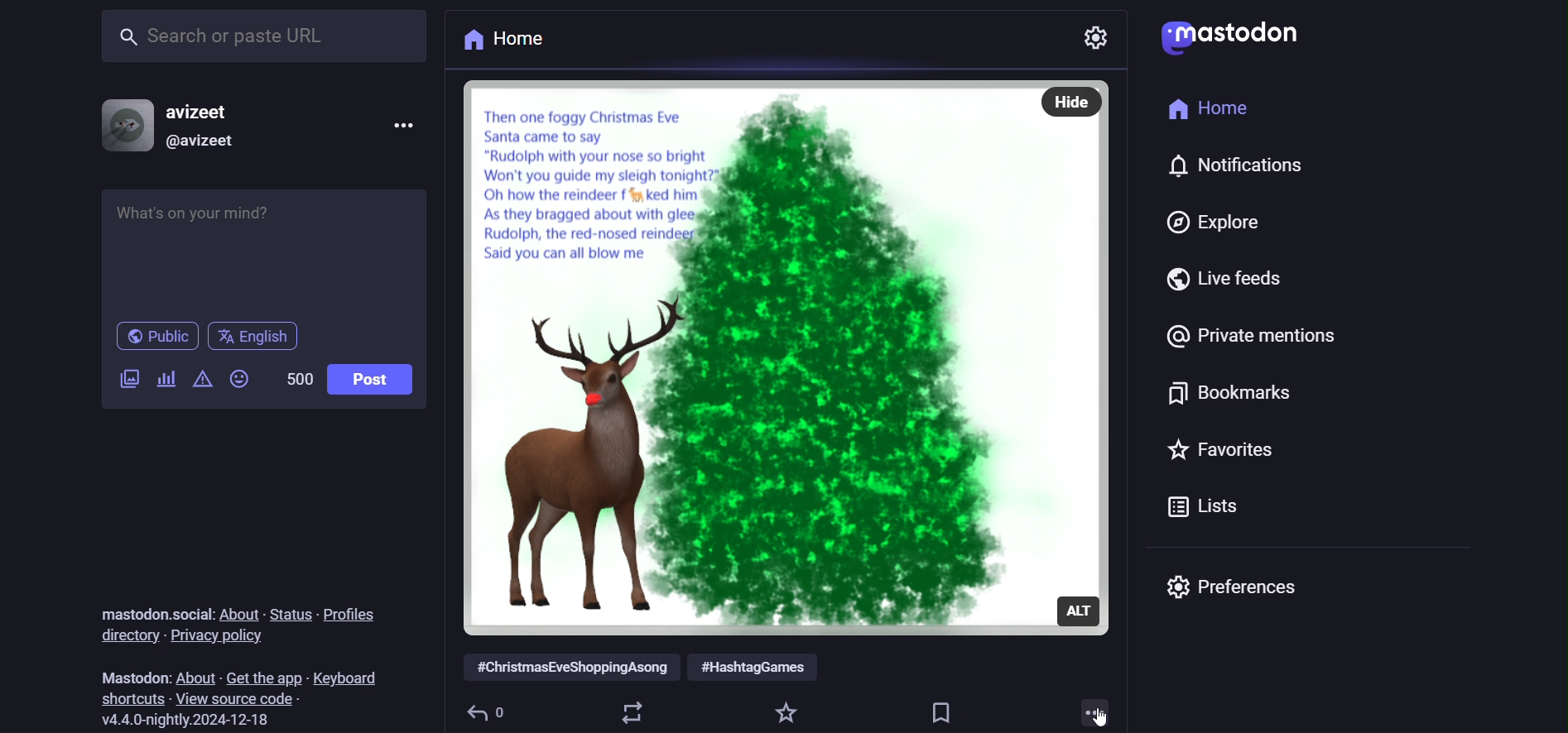  What do you see at coordinates (199, 142) in the screenshot?
I see `id` at bounding box center [199, 142].